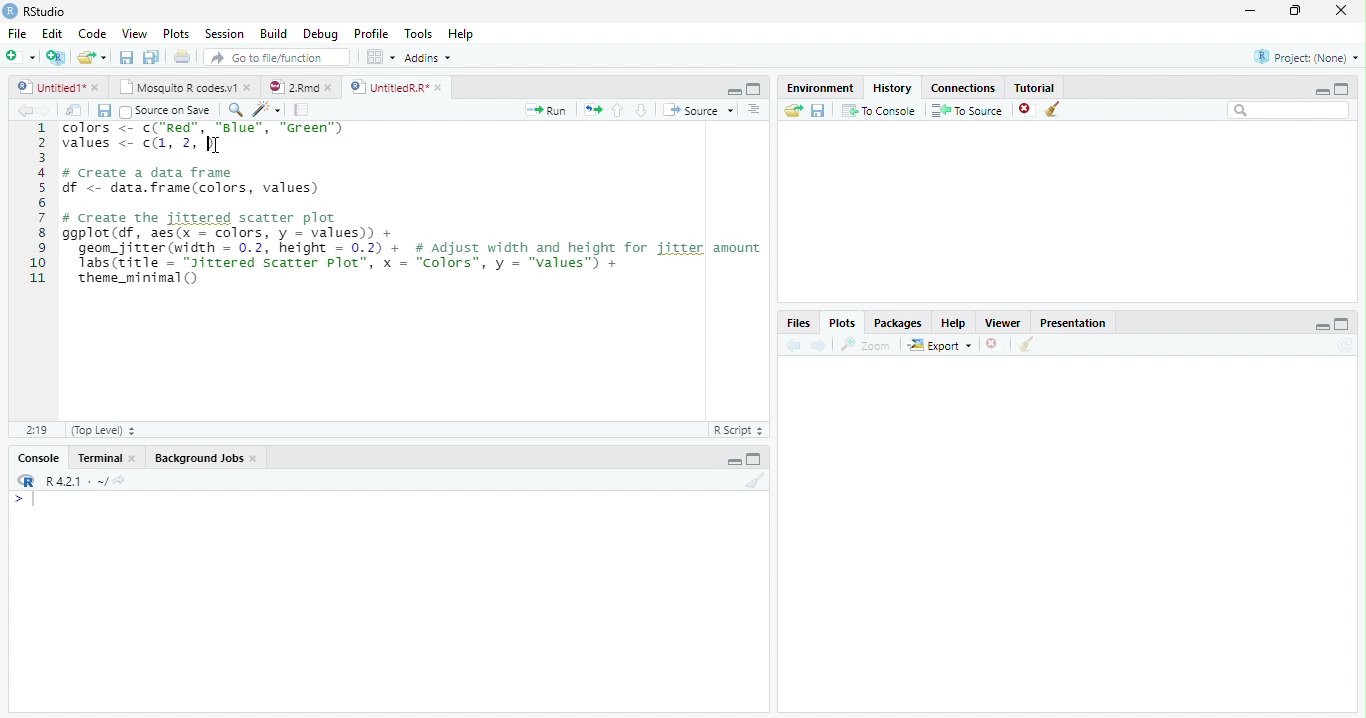 Image resolution: width=1366 pixels, height=718 pixels. I want to click on Create a project, so click(55, 57).